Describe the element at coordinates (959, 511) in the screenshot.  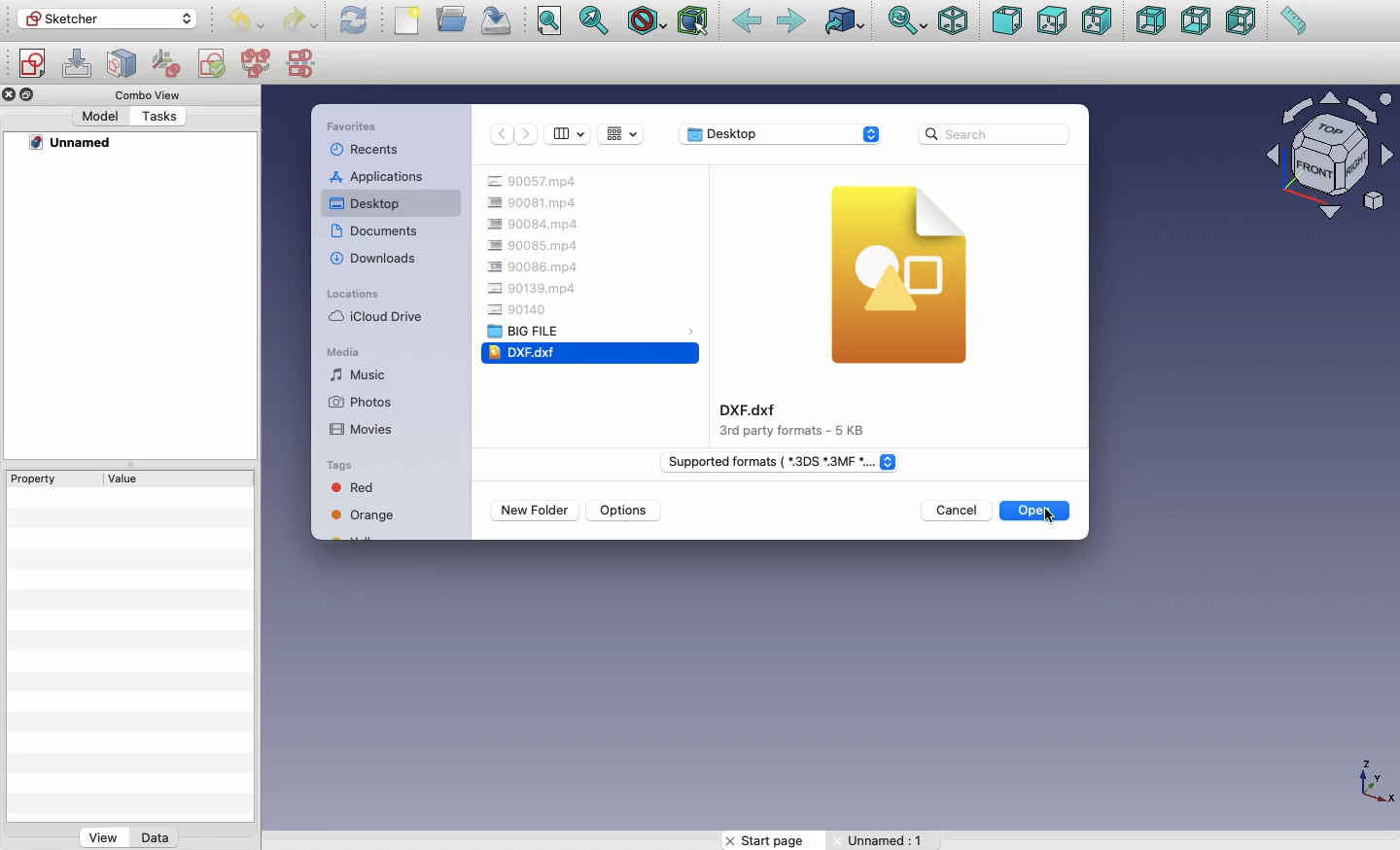
I see `Cancel` at that location.